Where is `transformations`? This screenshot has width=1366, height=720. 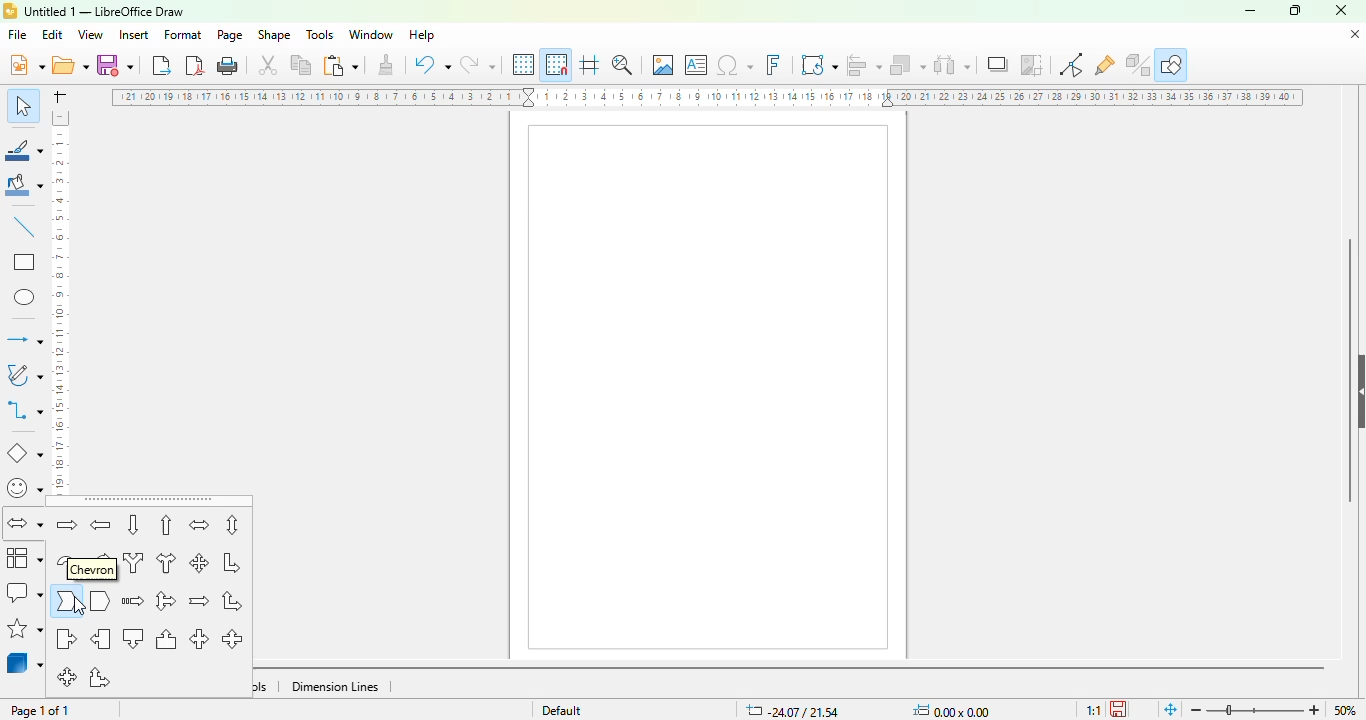
transformations is located at coordinates (819, 64).